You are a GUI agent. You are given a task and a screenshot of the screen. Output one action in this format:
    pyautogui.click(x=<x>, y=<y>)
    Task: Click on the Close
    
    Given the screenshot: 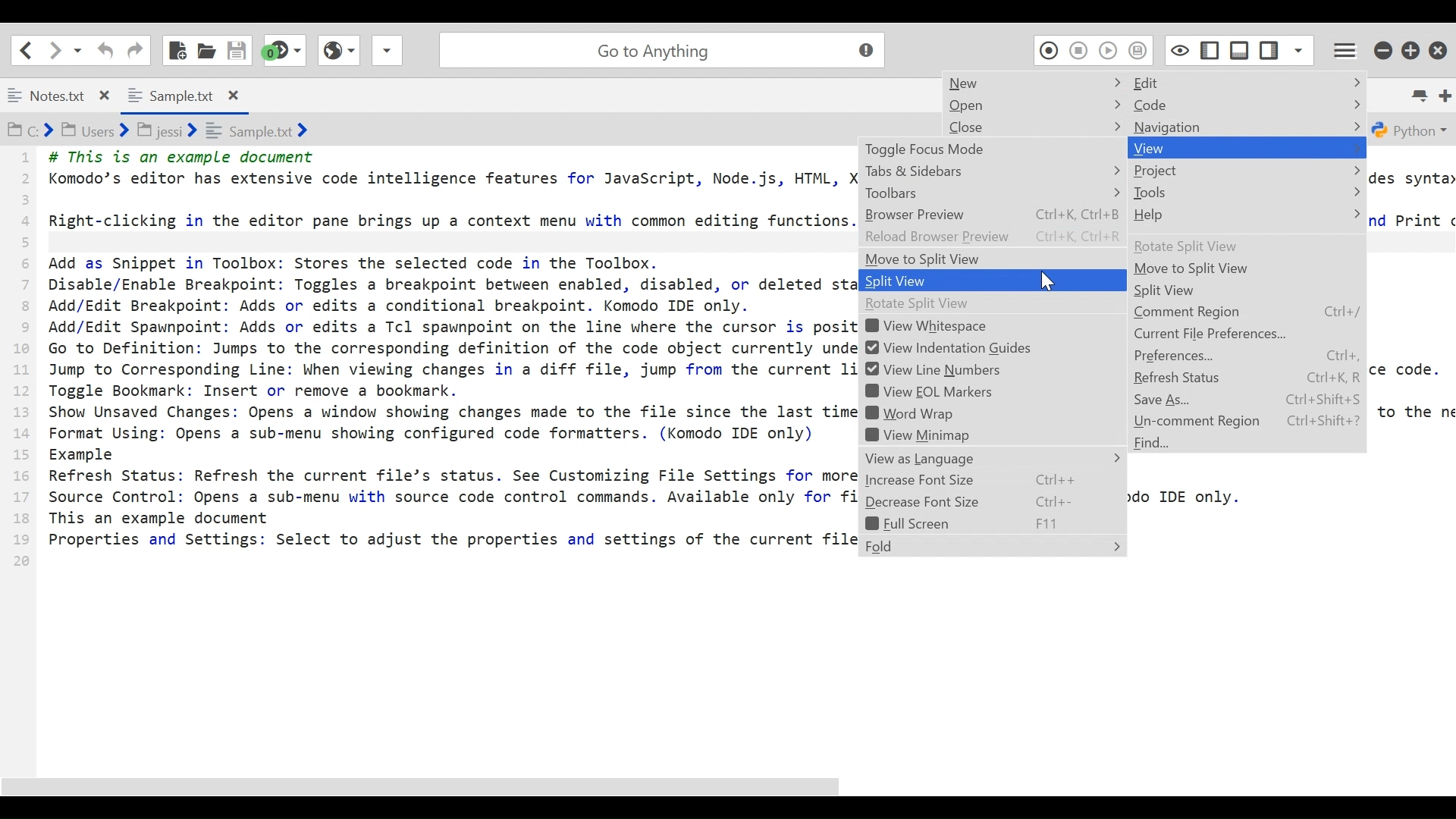 What is the action you would take?
    pyautogui.click(x=1037, y=127)
    